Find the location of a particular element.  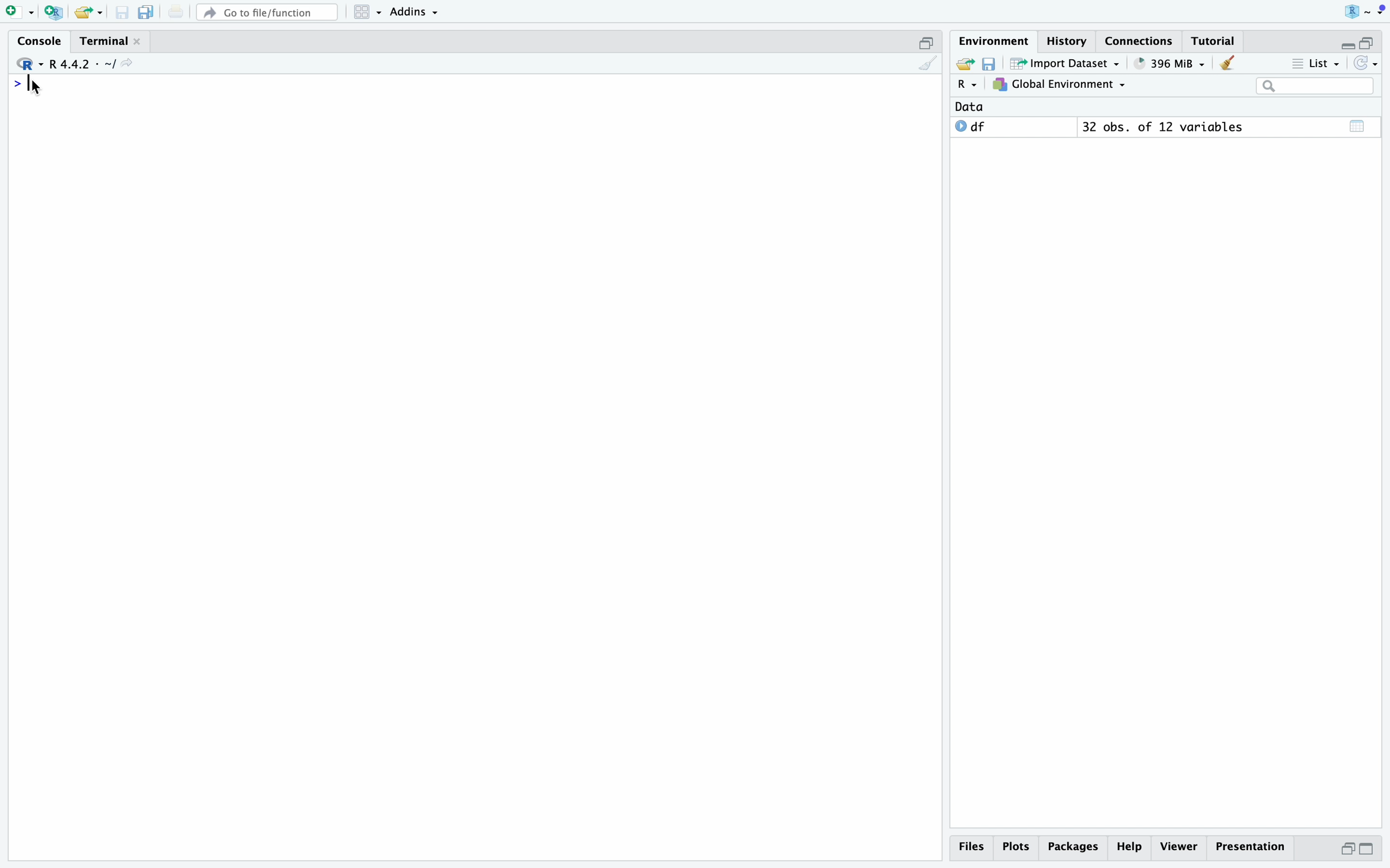

open in separate window is located at coordinates (1367, 42).